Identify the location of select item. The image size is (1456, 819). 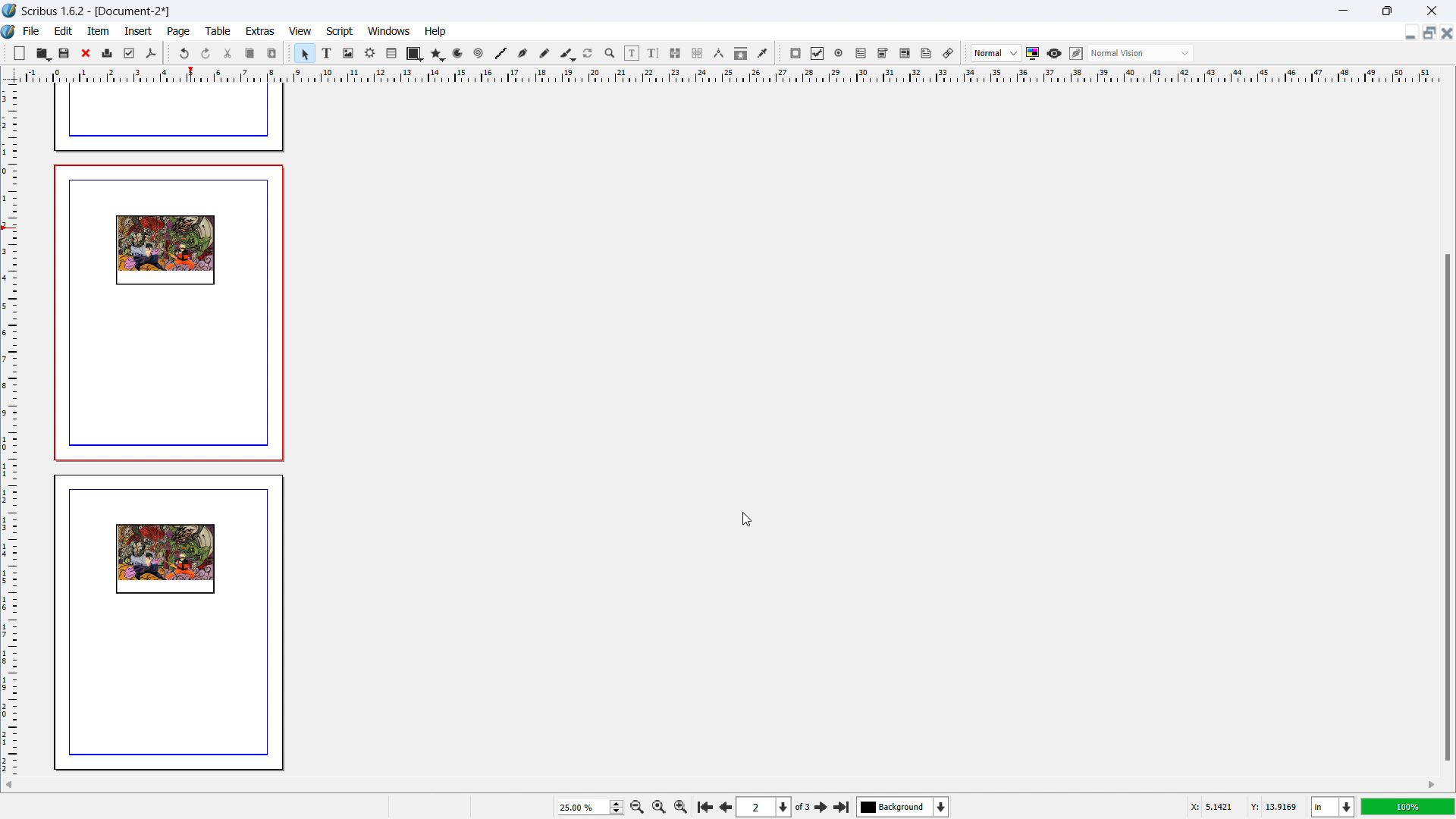
(305, 54).